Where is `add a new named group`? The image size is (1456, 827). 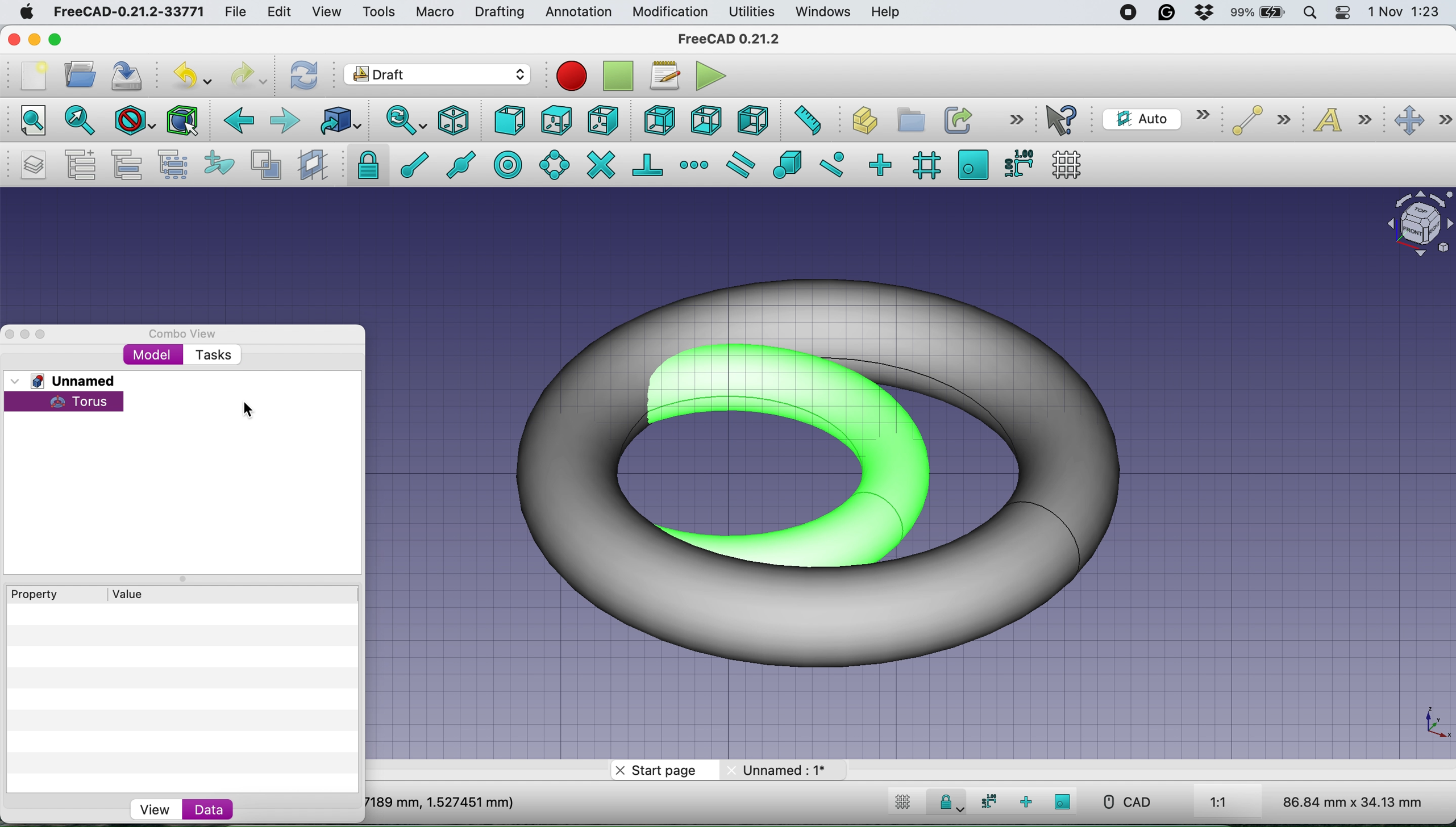 add a new named group is located at coordinates (81, 164).